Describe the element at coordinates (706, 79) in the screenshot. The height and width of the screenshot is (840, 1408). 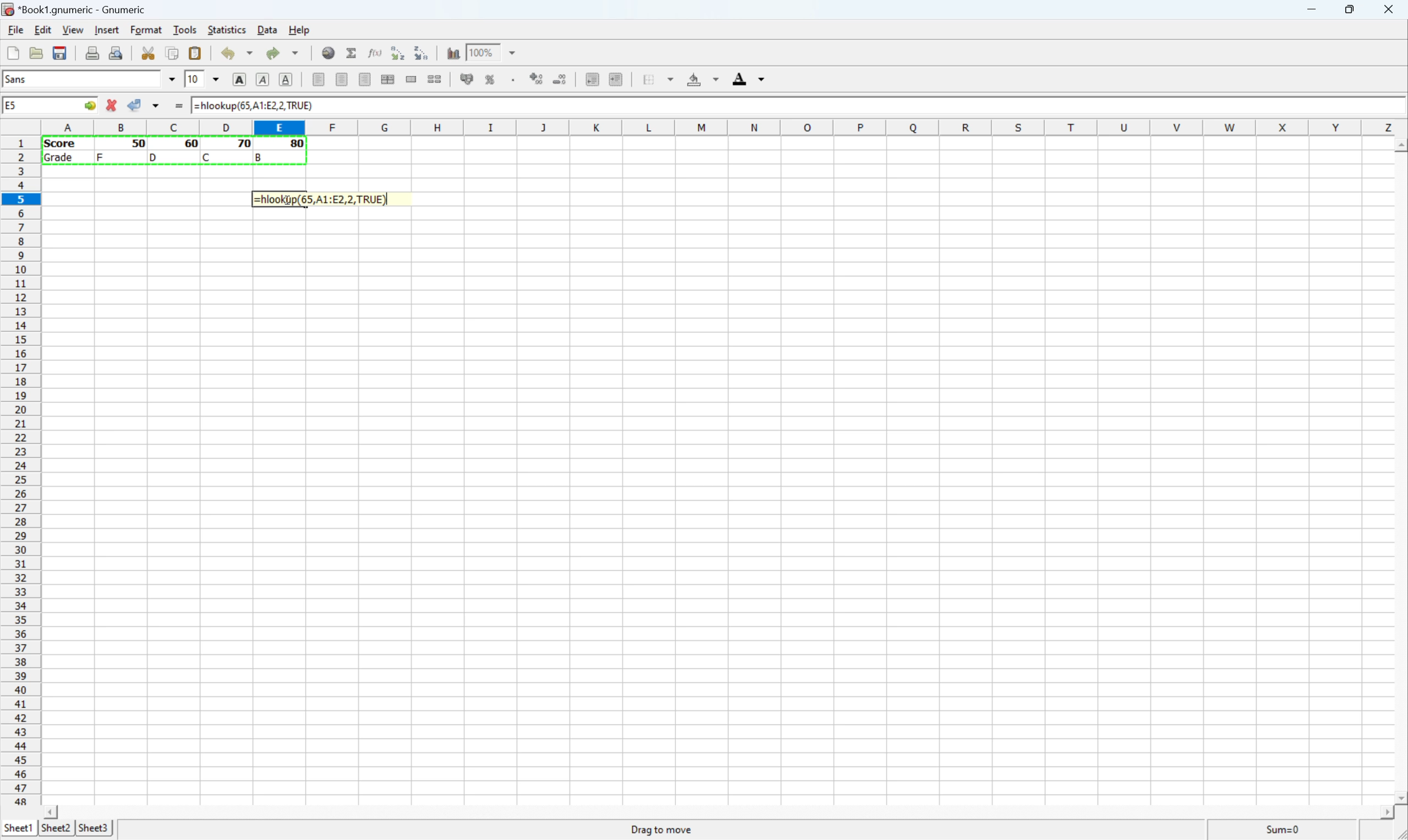
I see `Background` at that location.